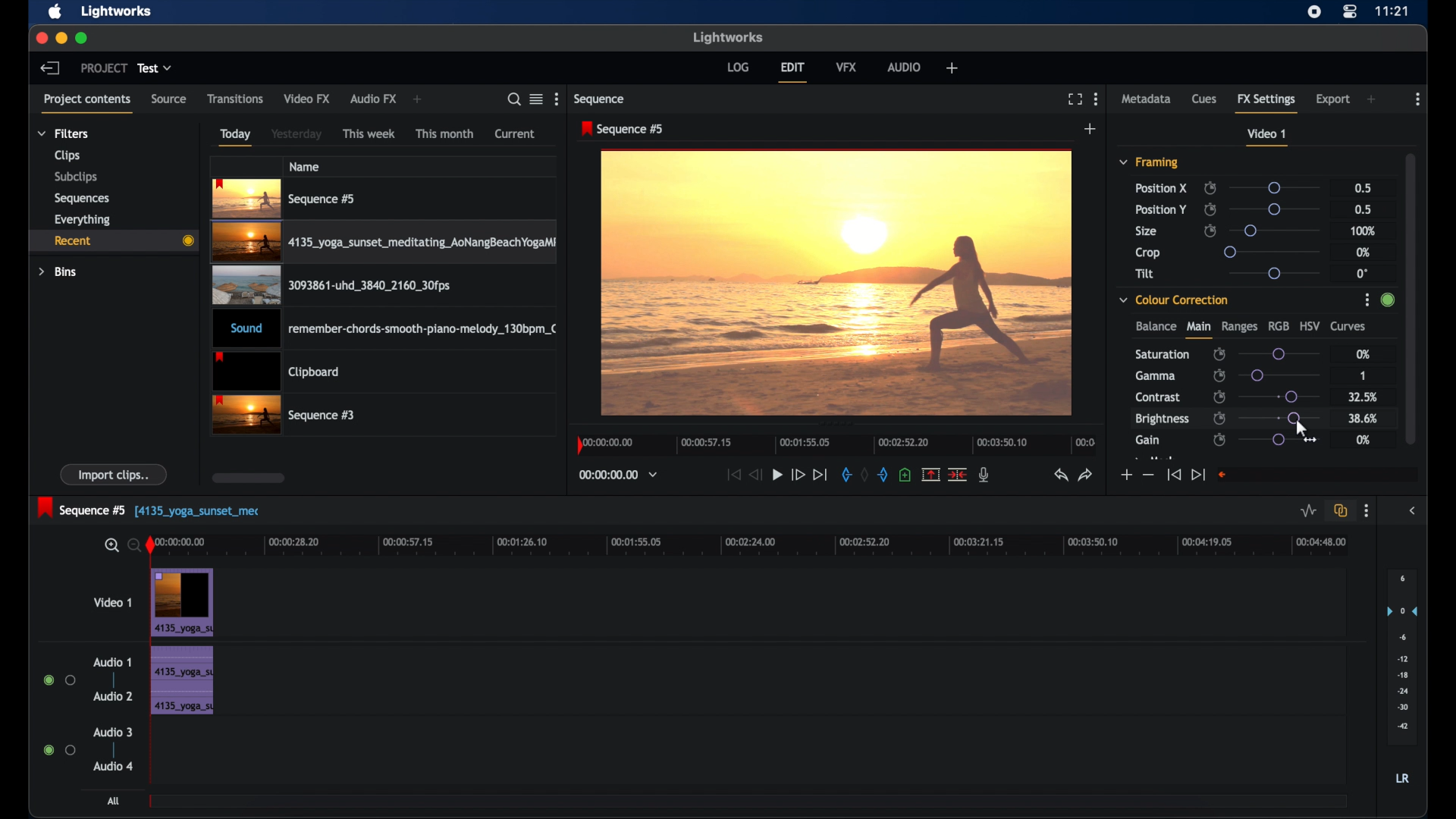 Image resolution: width=1456 pixels, height=819 pixels. Describe the element at coordinates (1174, 300) in the screenshot. I see `color correction` at that location.